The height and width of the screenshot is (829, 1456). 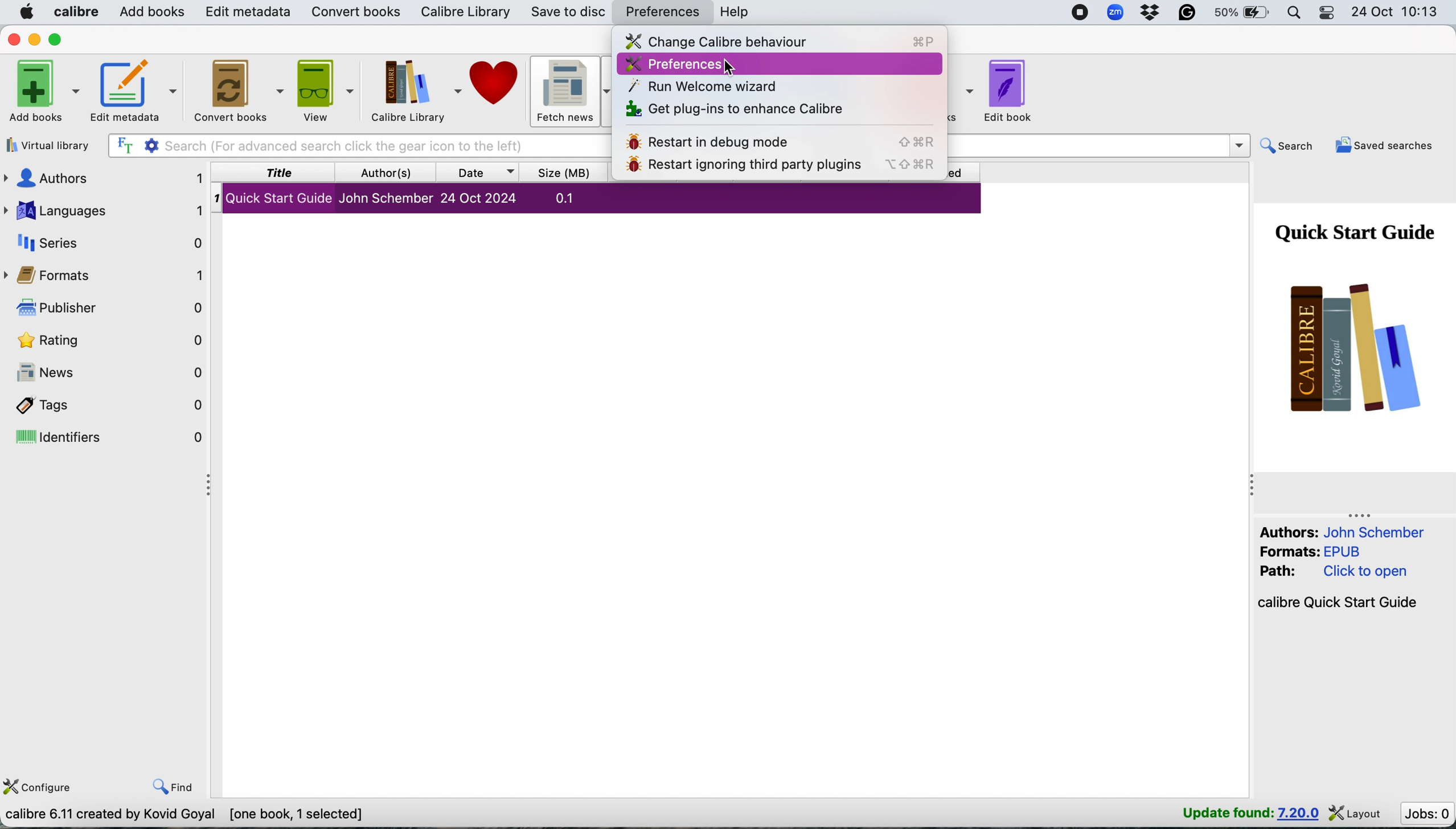 I want to click on help, so click(x=739, y=13).